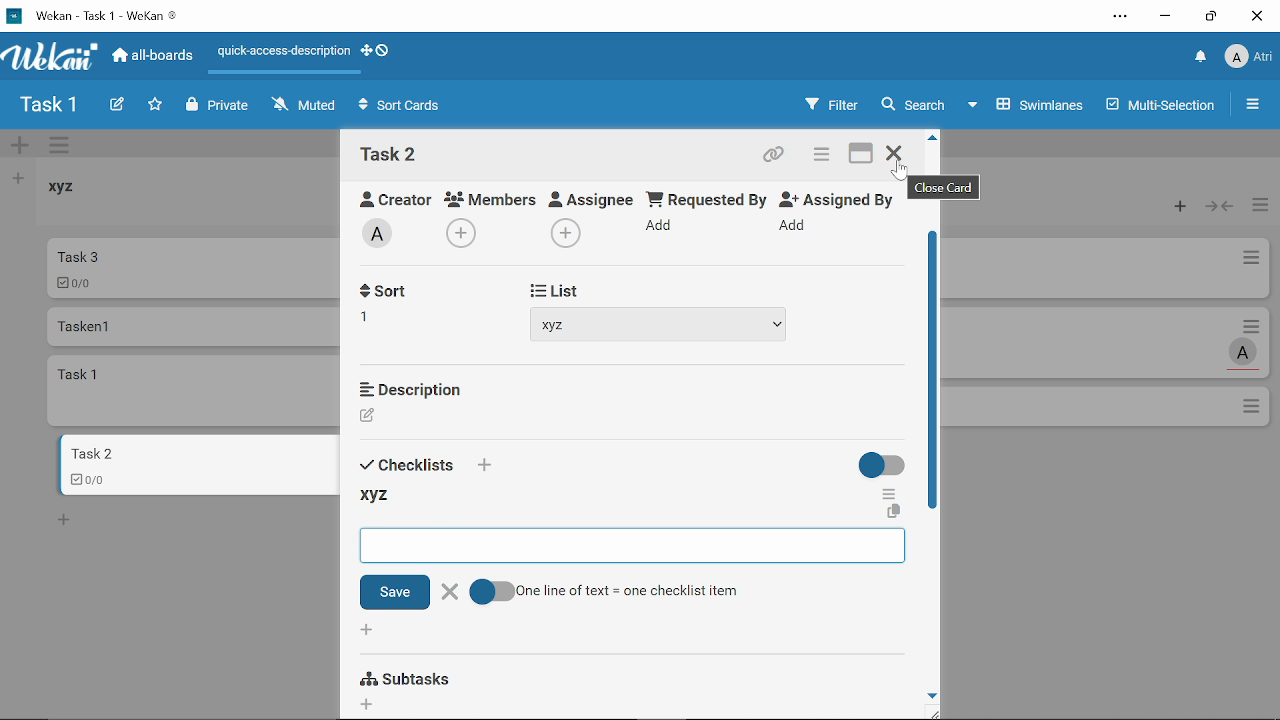  Describe the element at coordinates (381, 498) in the screenshot. I see `xyz` at that location.